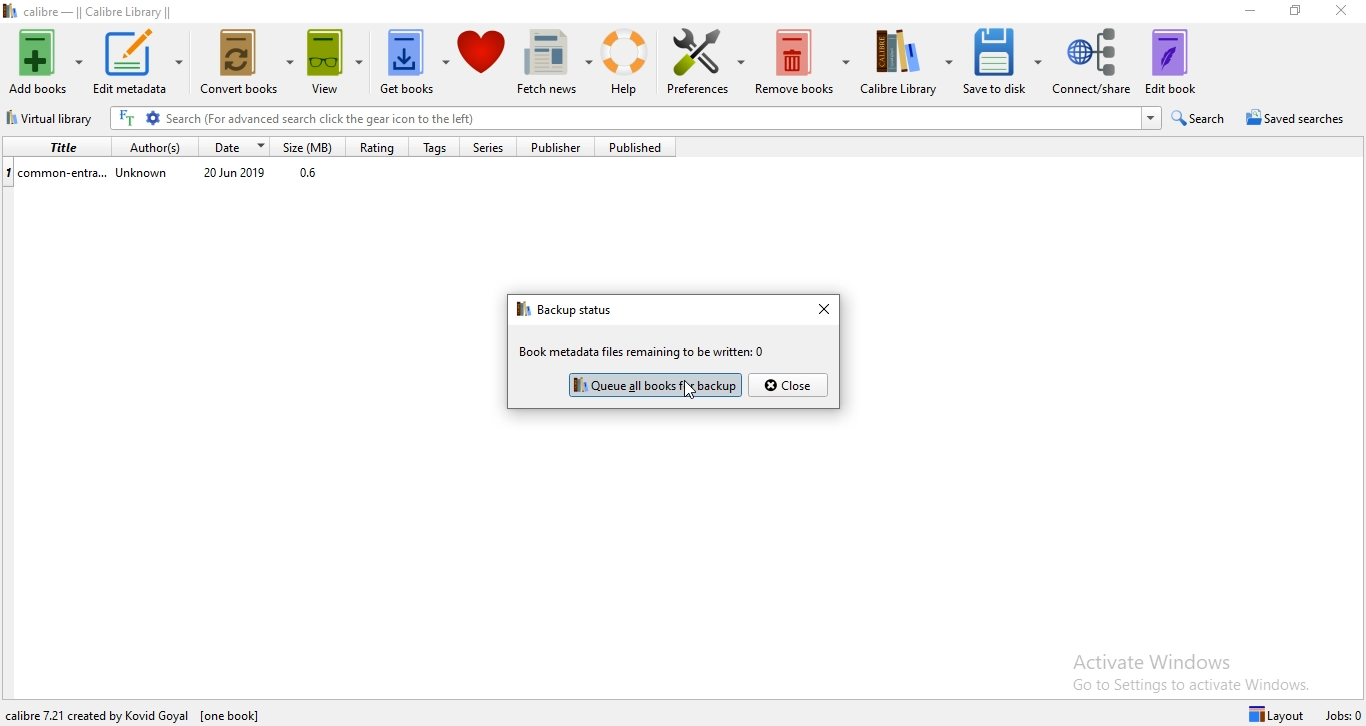 This screenshot has width=1366, height=726. What do you see at coordinates (55, 146) in the screenshot?
I see `Title` at bounding box center [55, 146].